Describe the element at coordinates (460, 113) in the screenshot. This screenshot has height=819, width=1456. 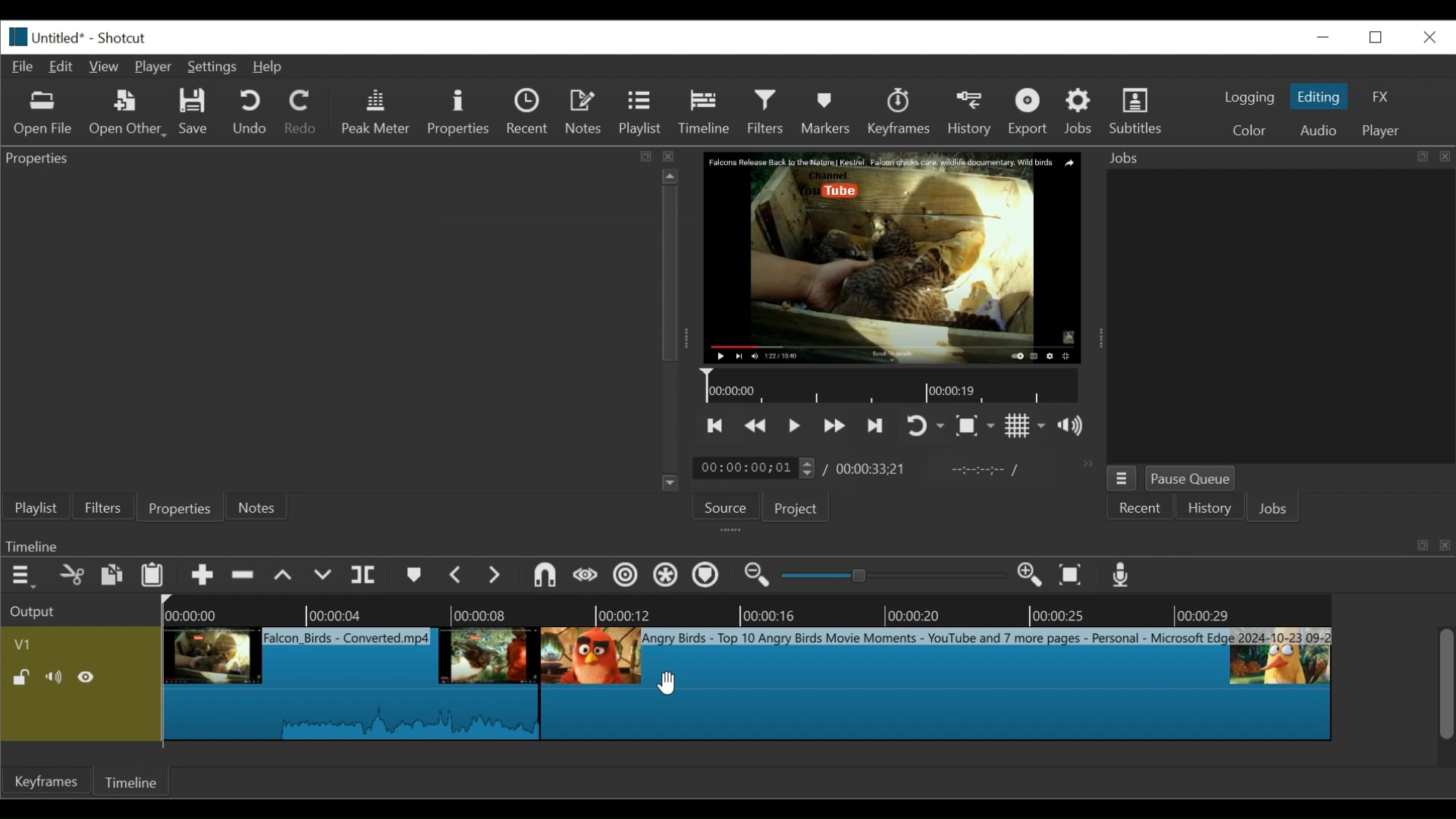
I see `Properties` at that location.